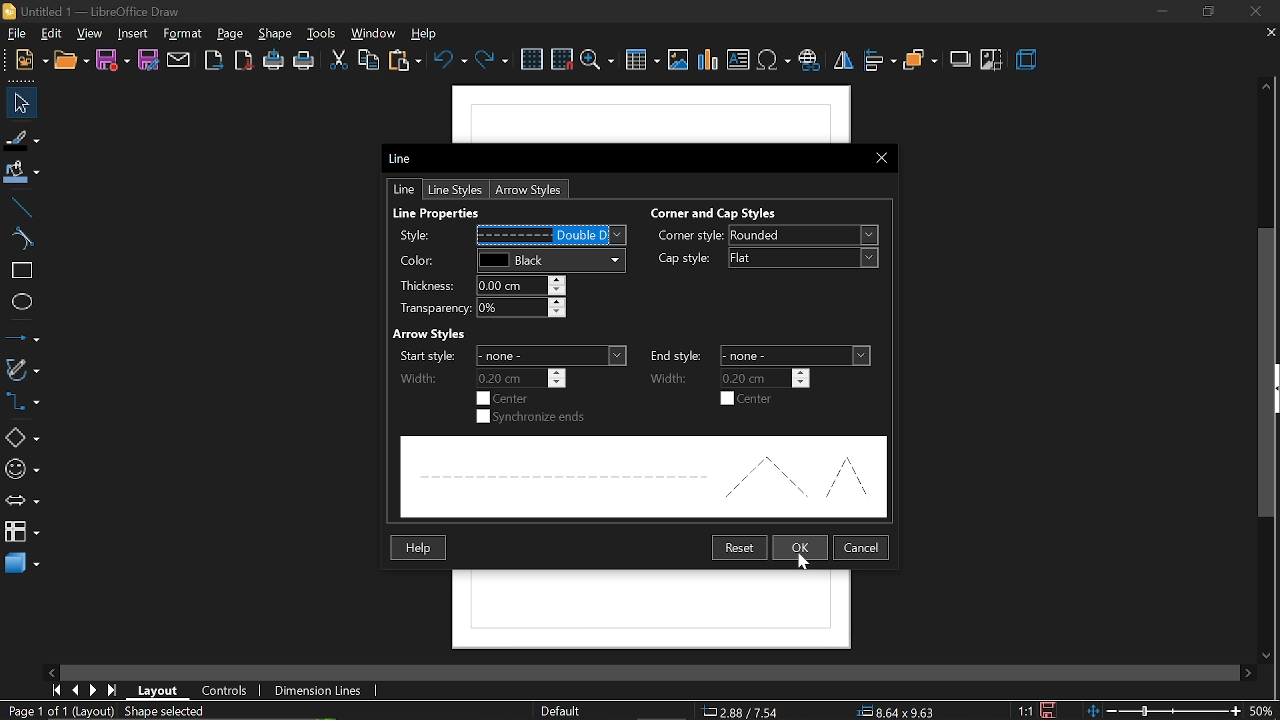 The image size is (1280, 720). What do you see at coordinates (57, 691) in the screenshot?
I see `go to first page` at bounding box center [57, 691].